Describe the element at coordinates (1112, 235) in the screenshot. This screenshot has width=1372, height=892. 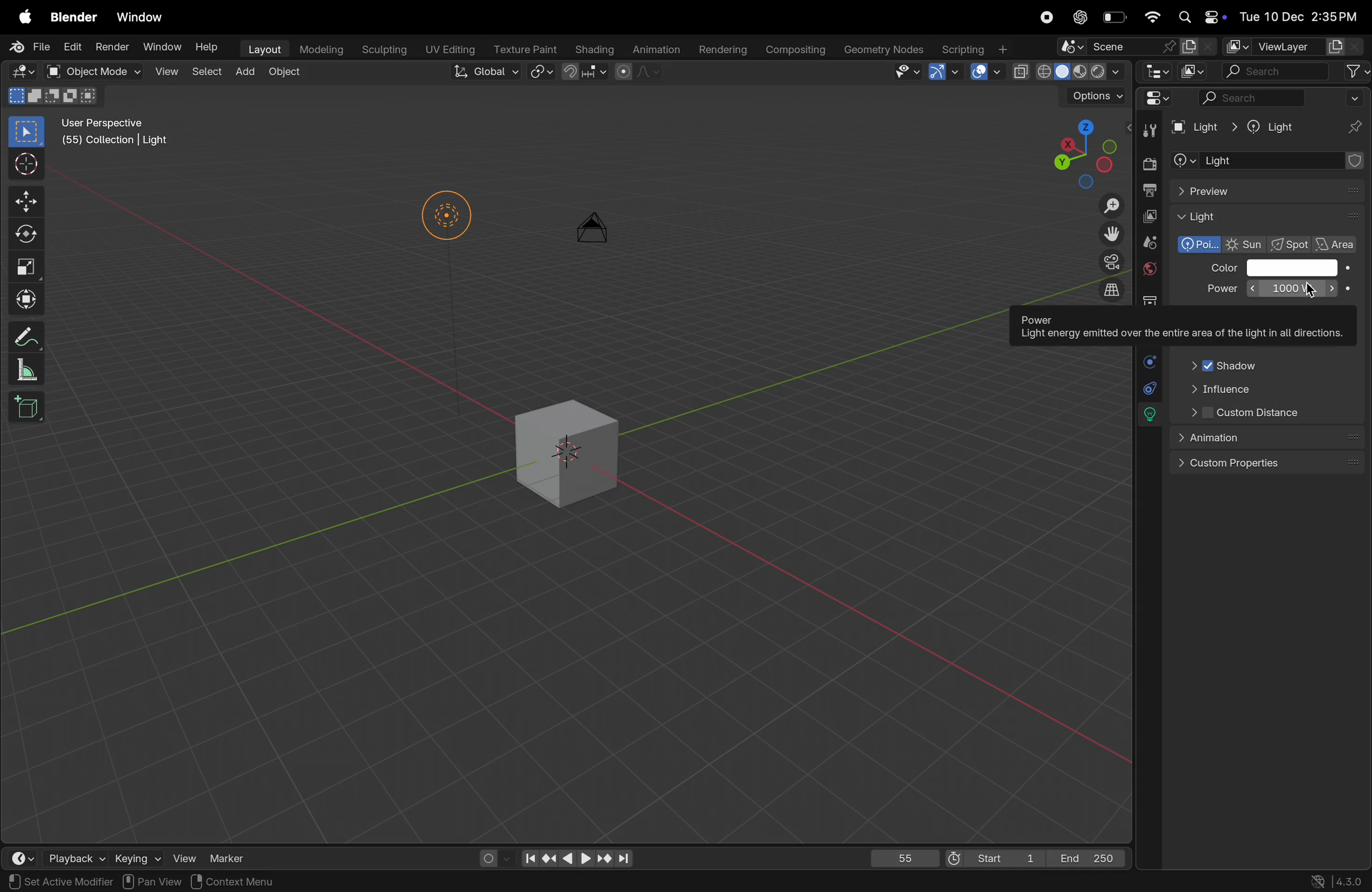
I see `move the view` at that location.